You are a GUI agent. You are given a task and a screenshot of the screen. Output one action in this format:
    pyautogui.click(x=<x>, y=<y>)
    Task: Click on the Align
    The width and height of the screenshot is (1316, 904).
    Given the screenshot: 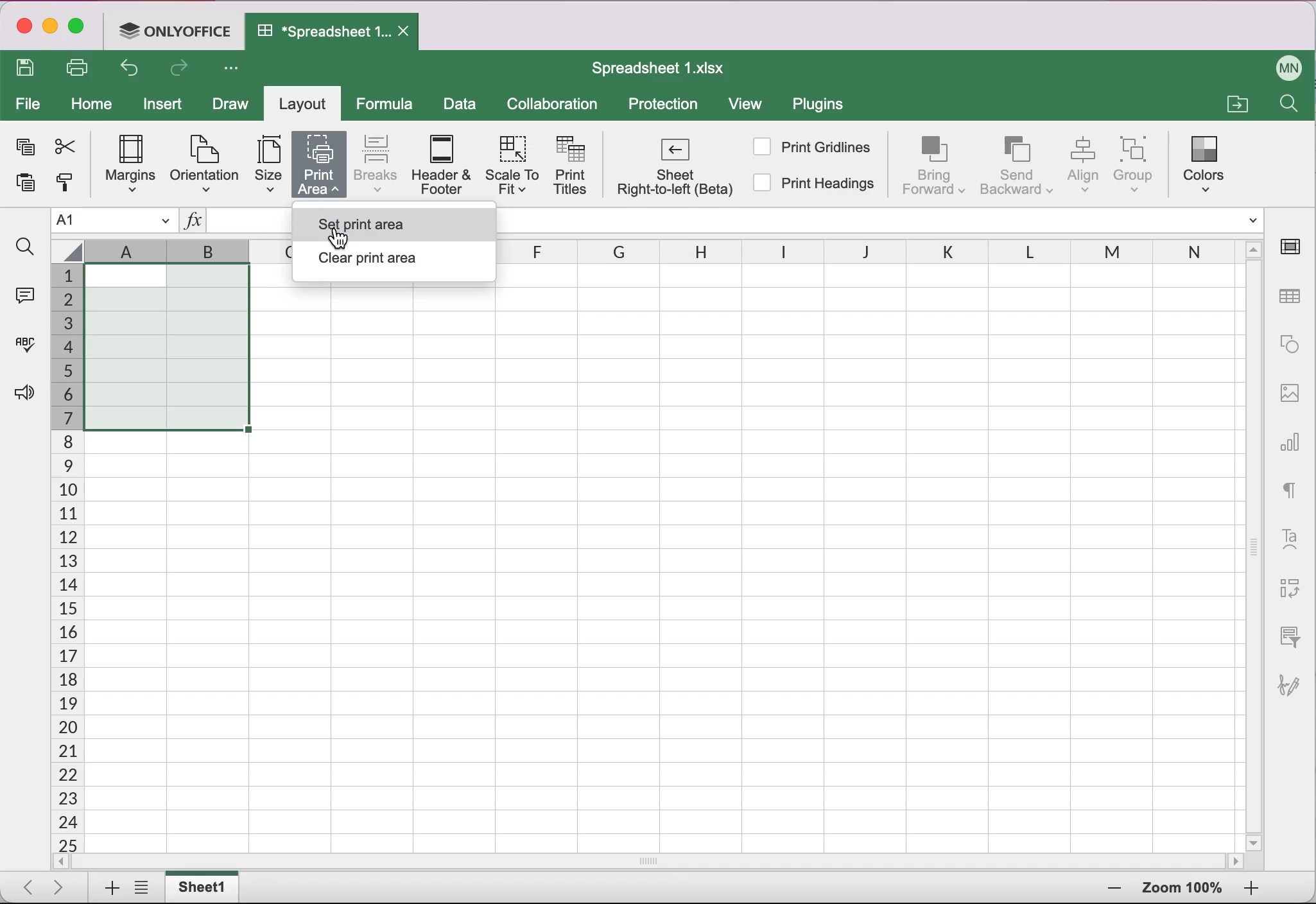 What is the action you would take?
    pyautogui.click(x=1085, y=165)
    